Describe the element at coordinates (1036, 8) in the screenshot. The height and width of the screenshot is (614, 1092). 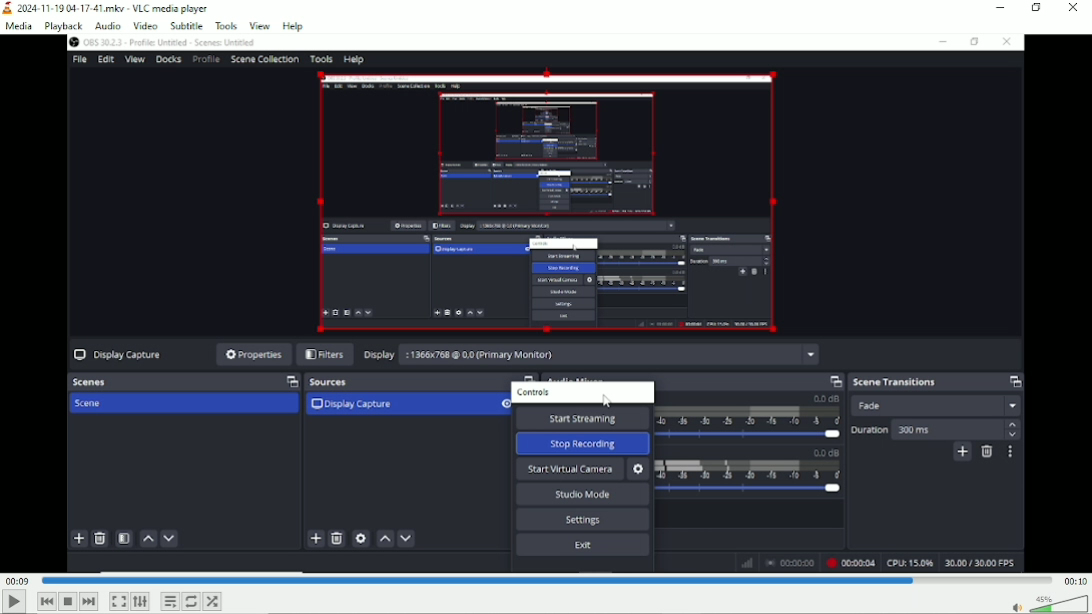
I see `restore down` at that location.